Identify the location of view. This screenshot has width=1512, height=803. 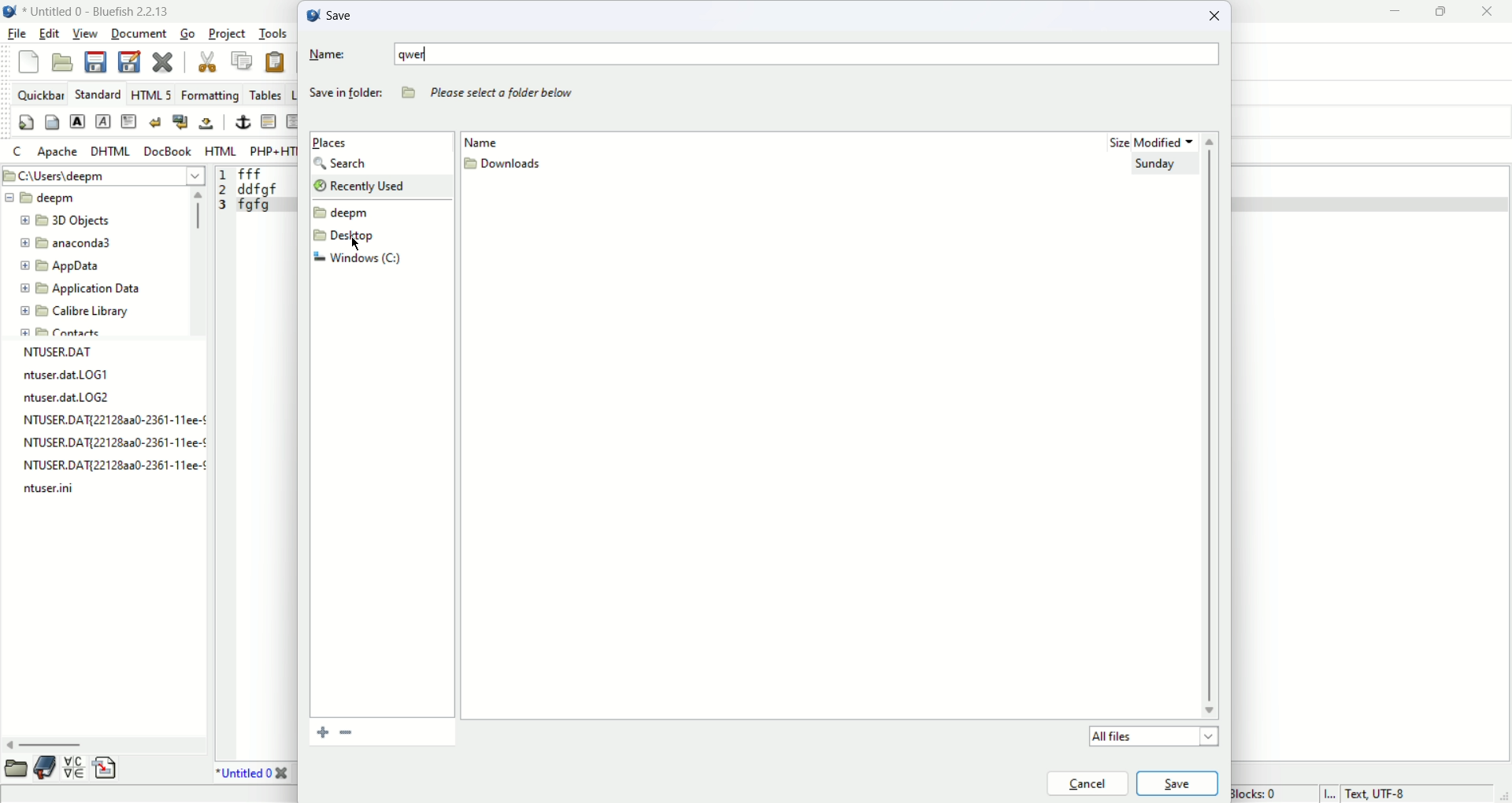
(84, 32).